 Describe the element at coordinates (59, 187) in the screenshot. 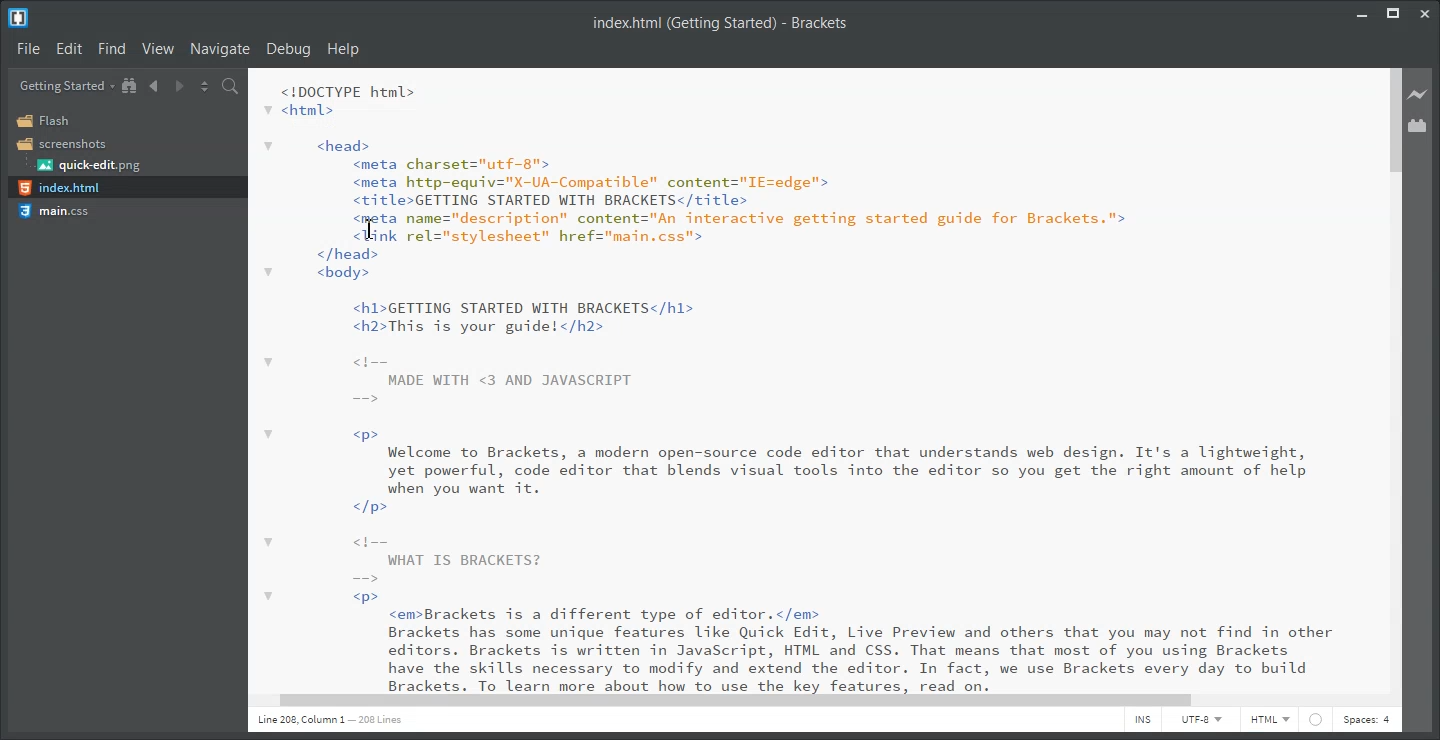

I see `index.html` at that location.